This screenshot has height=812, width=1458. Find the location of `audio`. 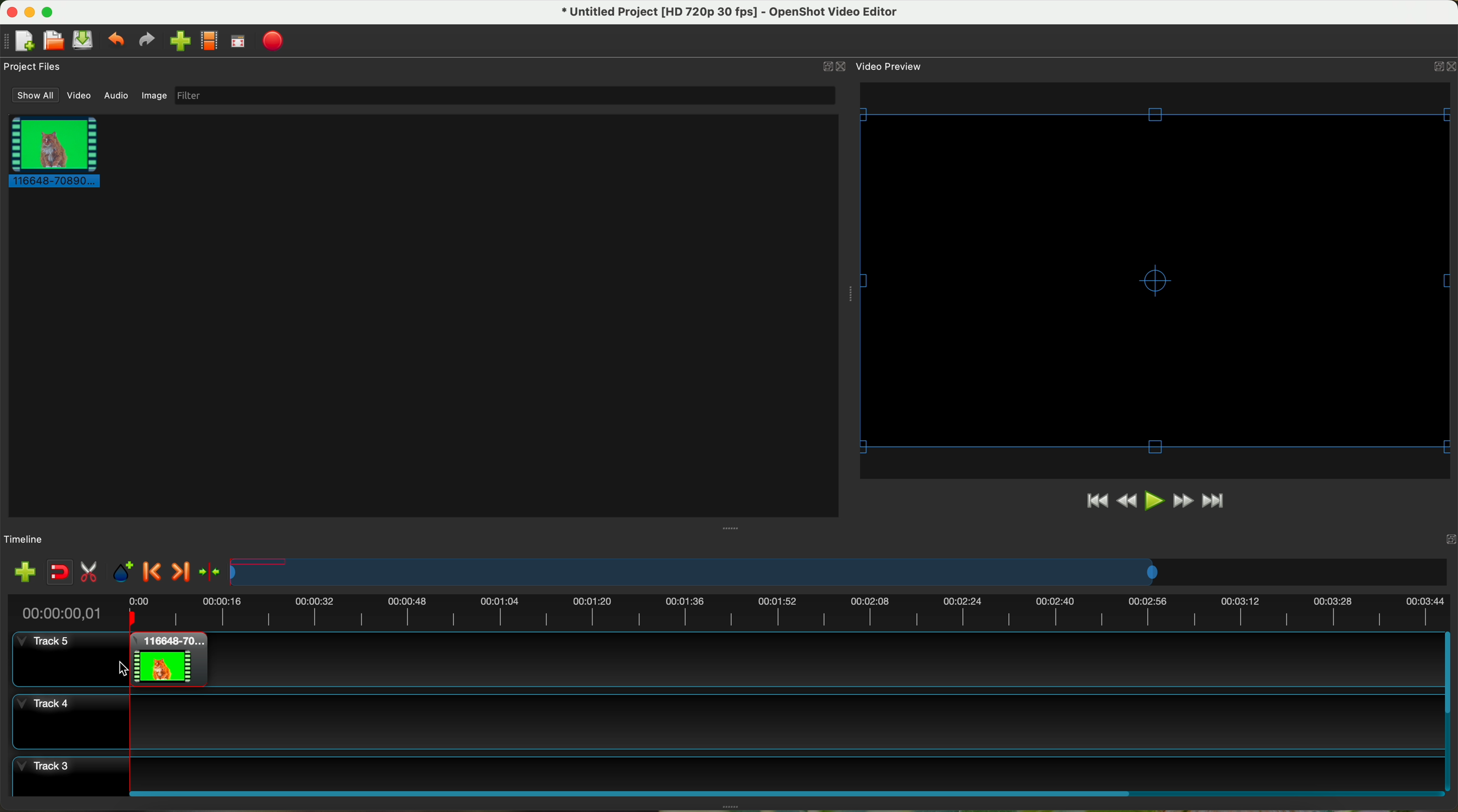

audio is located at coordinates (117, 96).